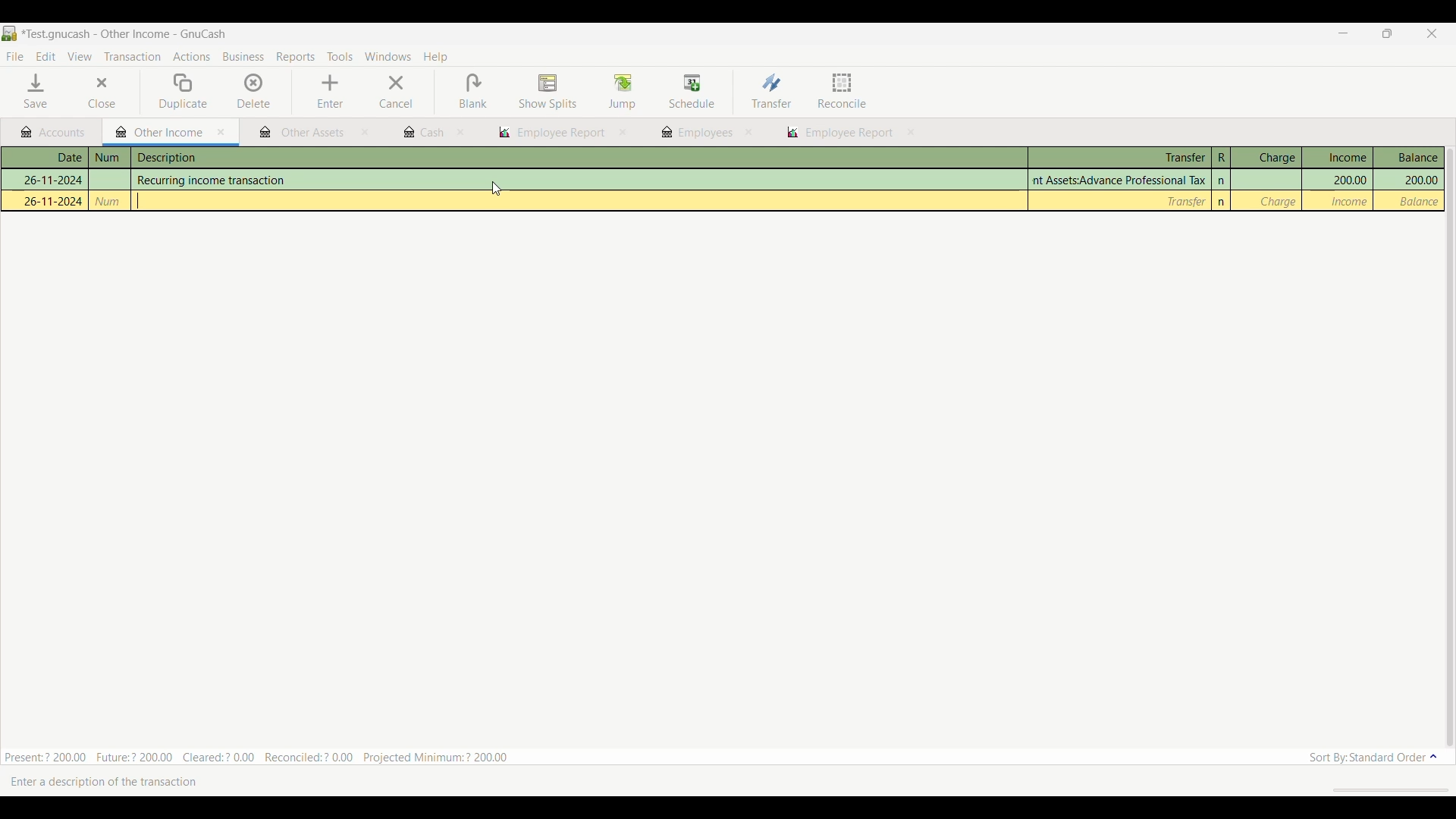 The height and width of the screenshot is (819, 1456). Describe the element at coordinates (1220, 158) in the screenshot. I see `R column` at that location.